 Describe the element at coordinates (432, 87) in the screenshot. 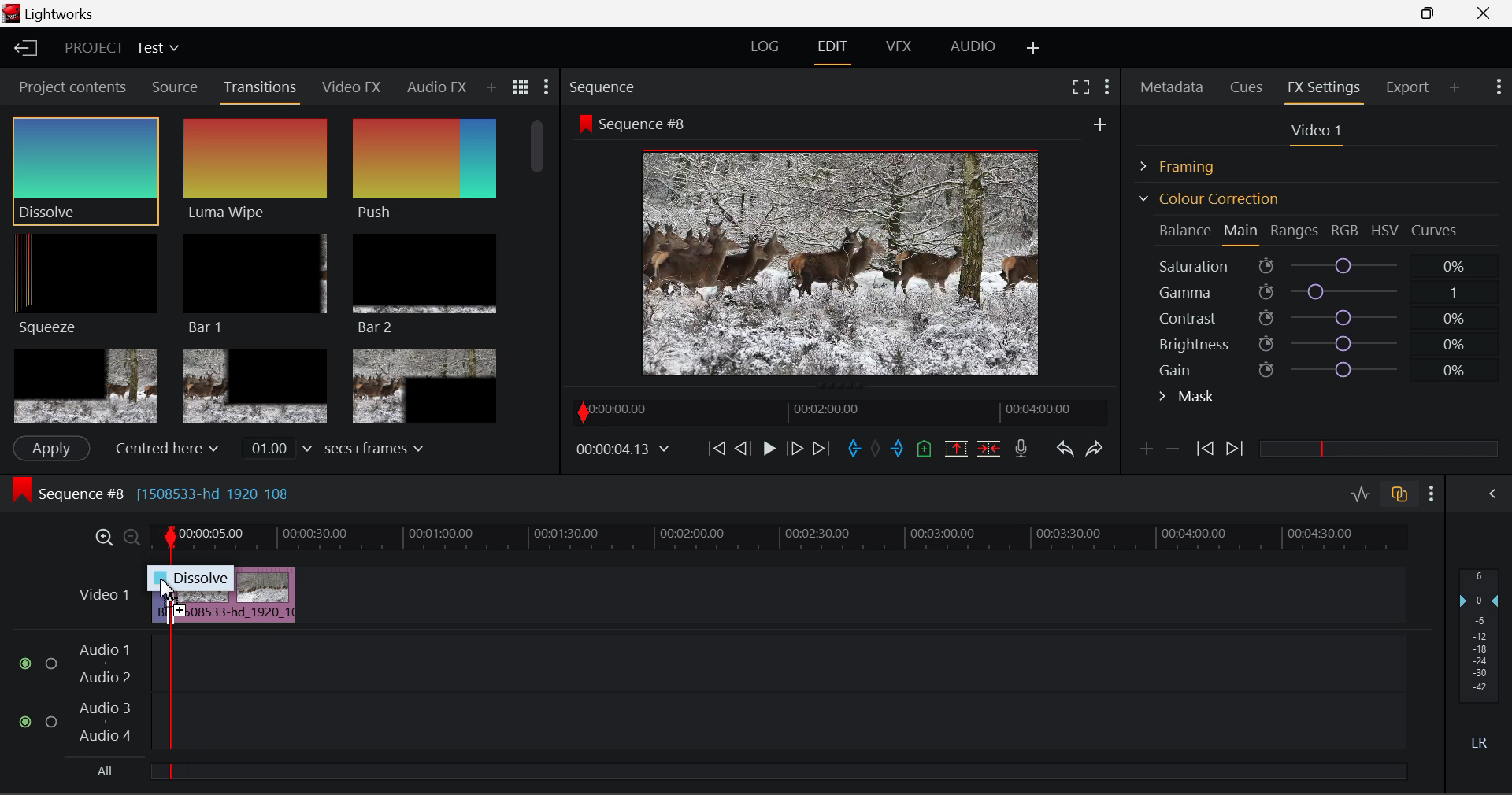

I see `Audio FX` at that location.